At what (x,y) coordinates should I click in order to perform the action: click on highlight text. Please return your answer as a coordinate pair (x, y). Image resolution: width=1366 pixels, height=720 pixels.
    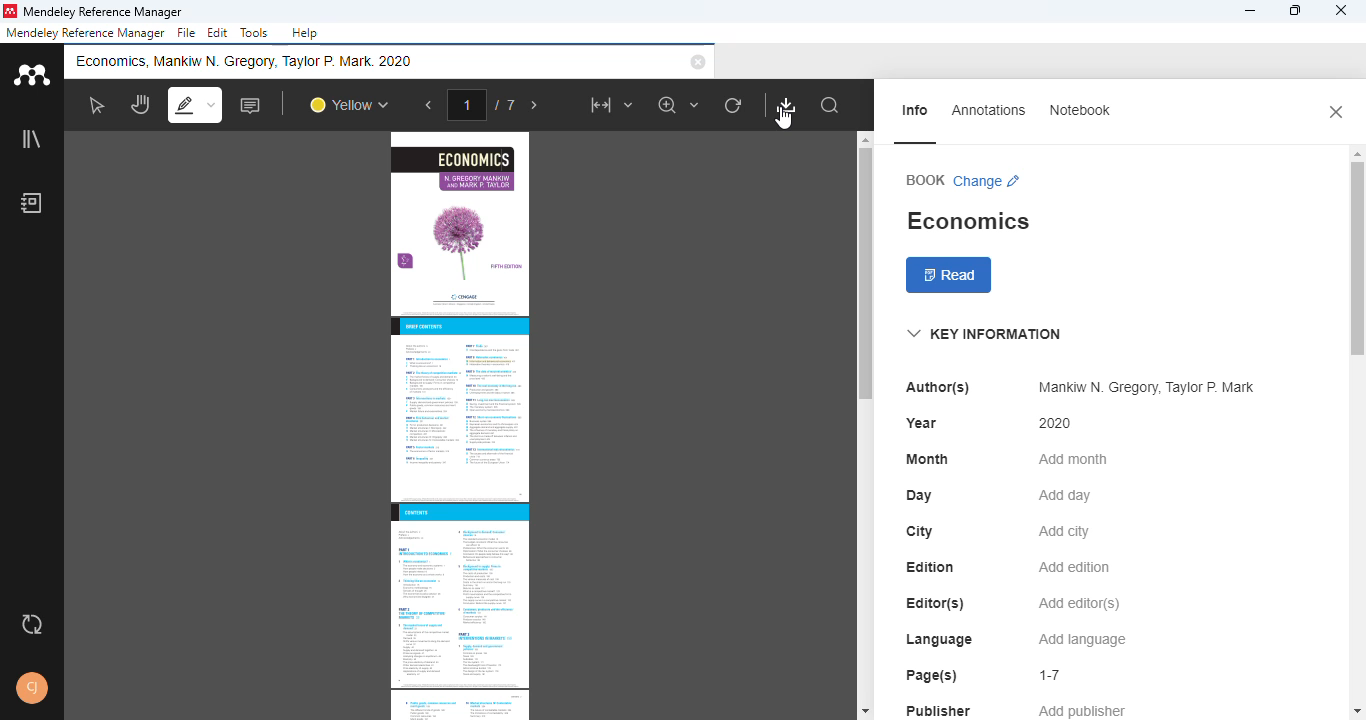
    Looking at the image, I should click on (194, 104).